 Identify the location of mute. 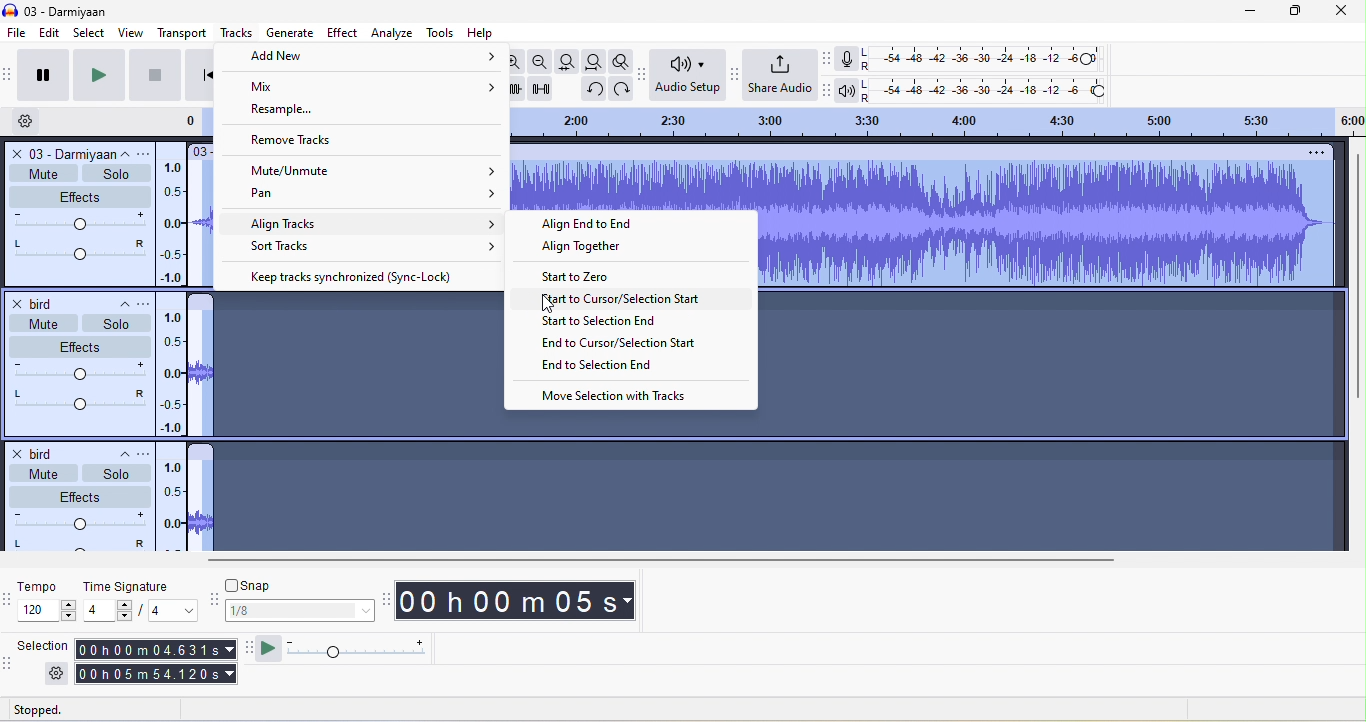
(43, 171).